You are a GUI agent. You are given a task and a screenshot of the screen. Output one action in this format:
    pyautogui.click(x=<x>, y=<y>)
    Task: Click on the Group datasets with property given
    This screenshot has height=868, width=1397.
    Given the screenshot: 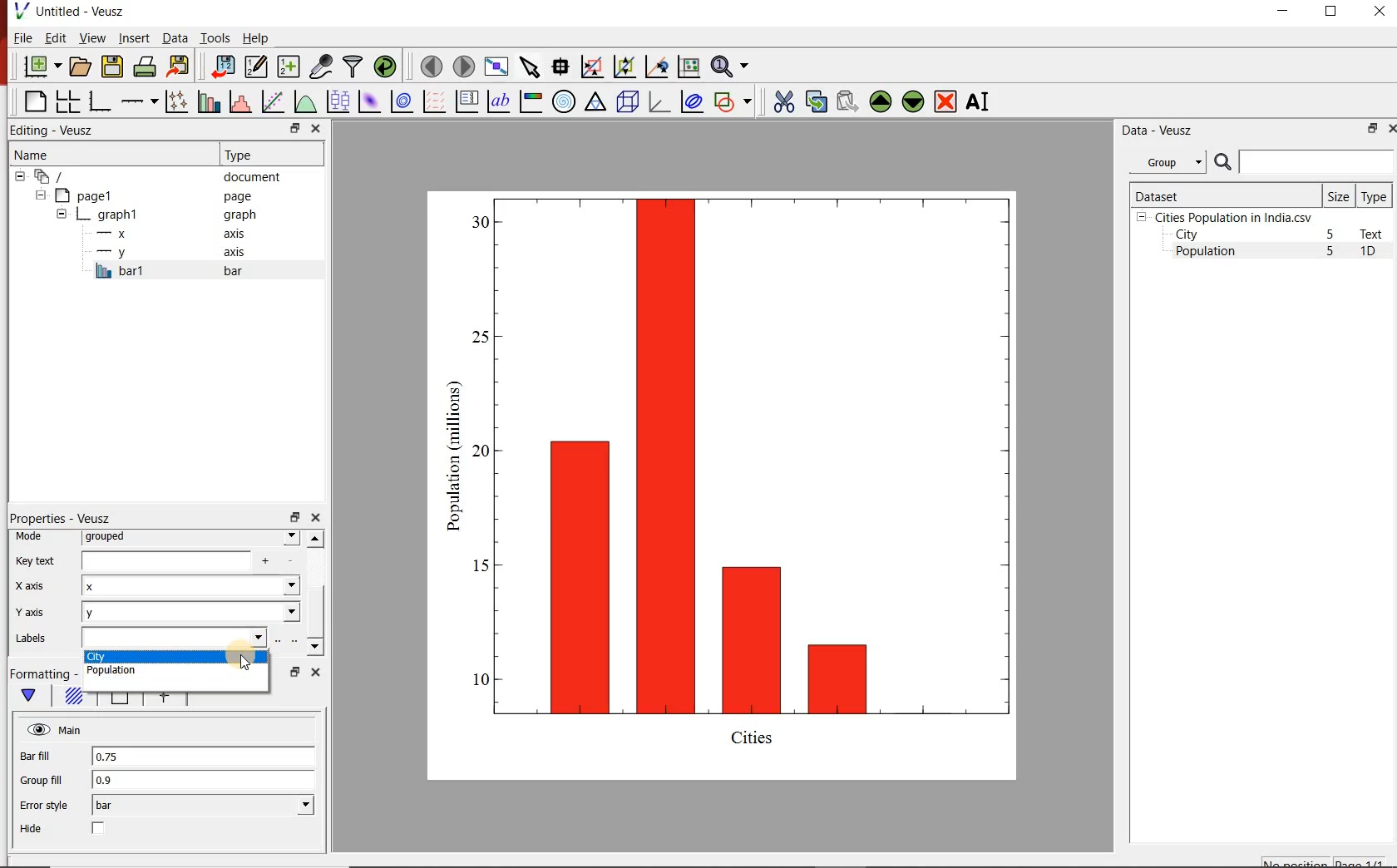 What is the action you would take?
    pyautogui.click(x=1167, y=161)
    